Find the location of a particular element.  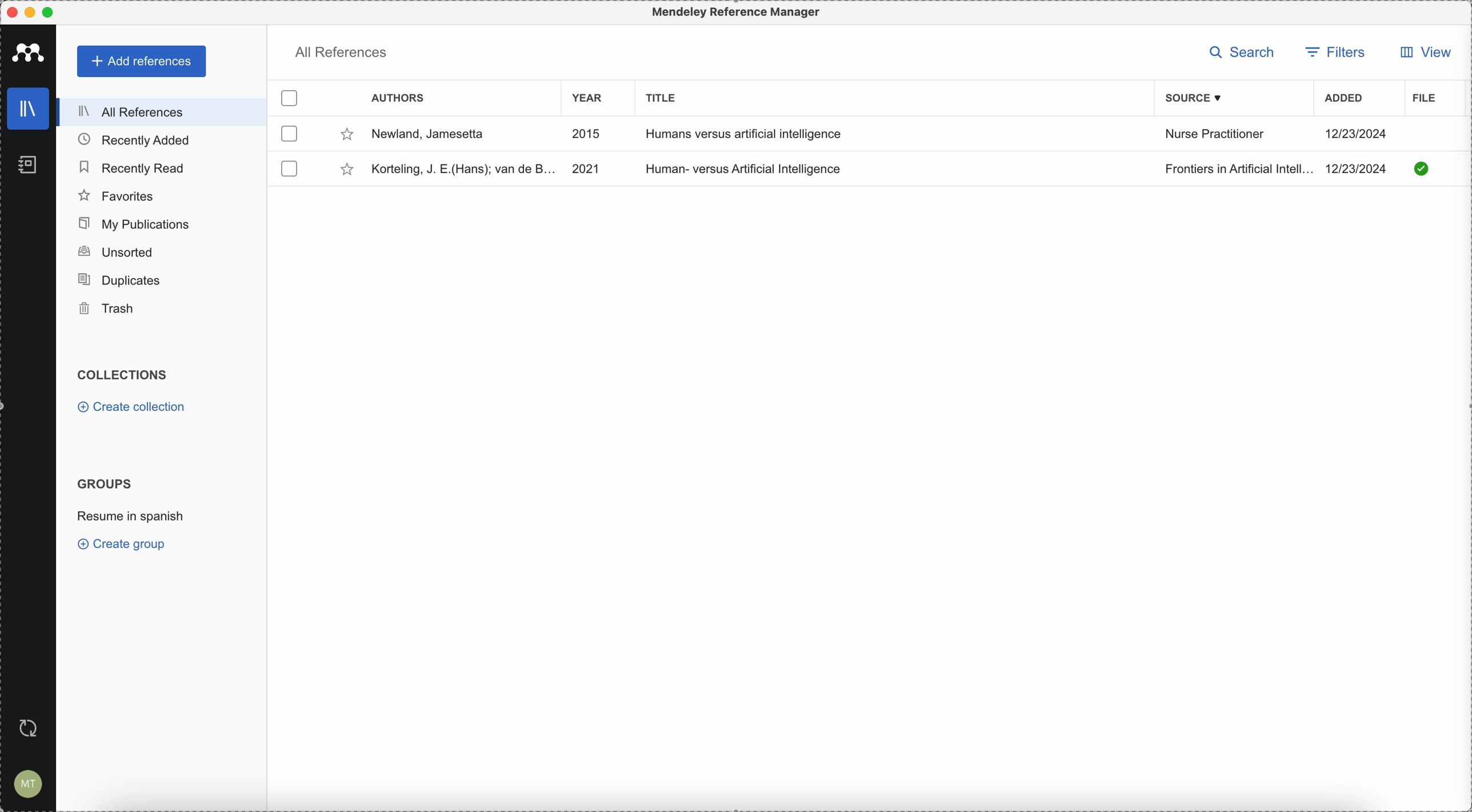

create collection is located at coordinates (131, 407).